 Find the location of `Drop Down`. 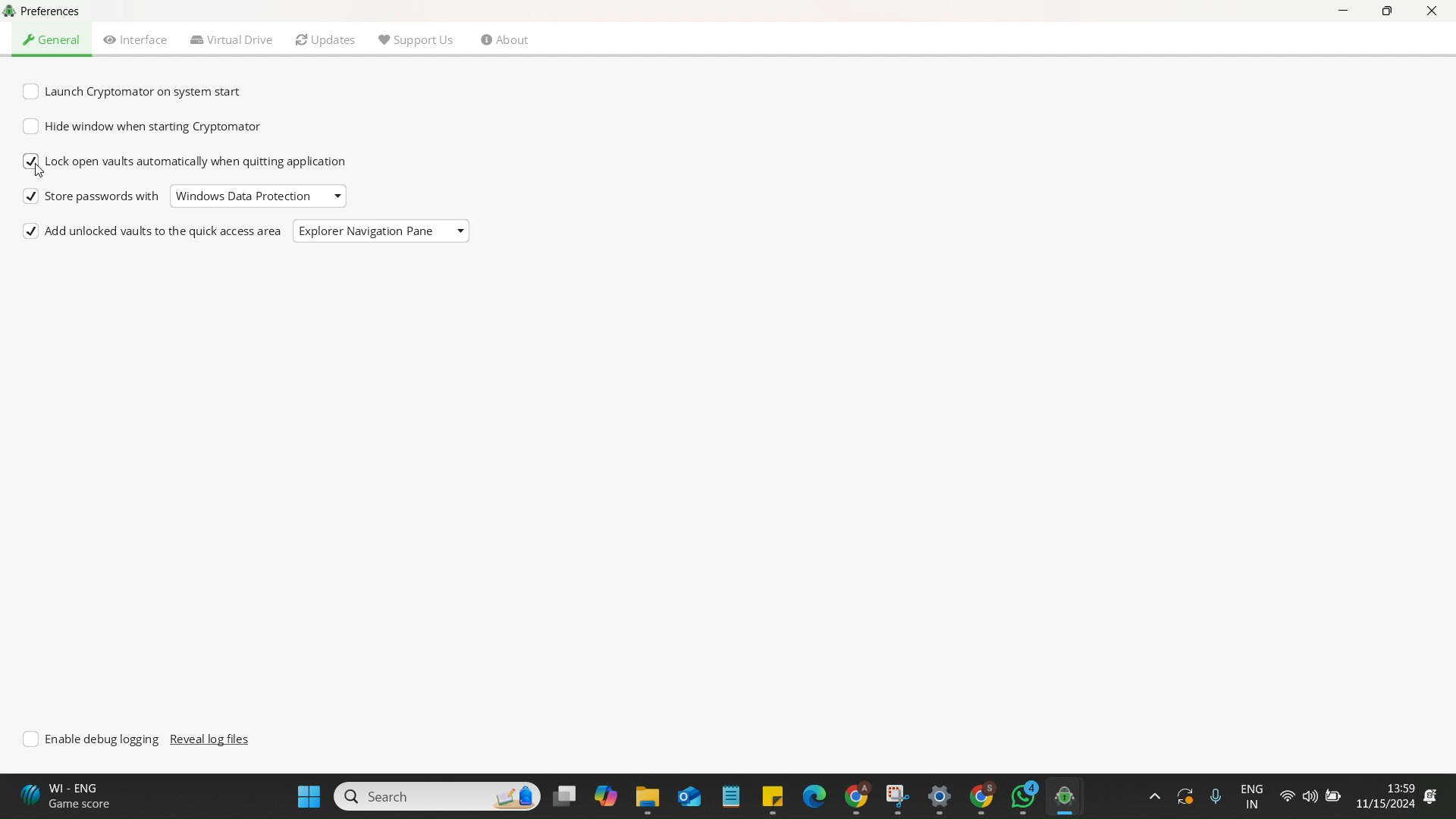

Drop Down is located at coordinates (461, 229).